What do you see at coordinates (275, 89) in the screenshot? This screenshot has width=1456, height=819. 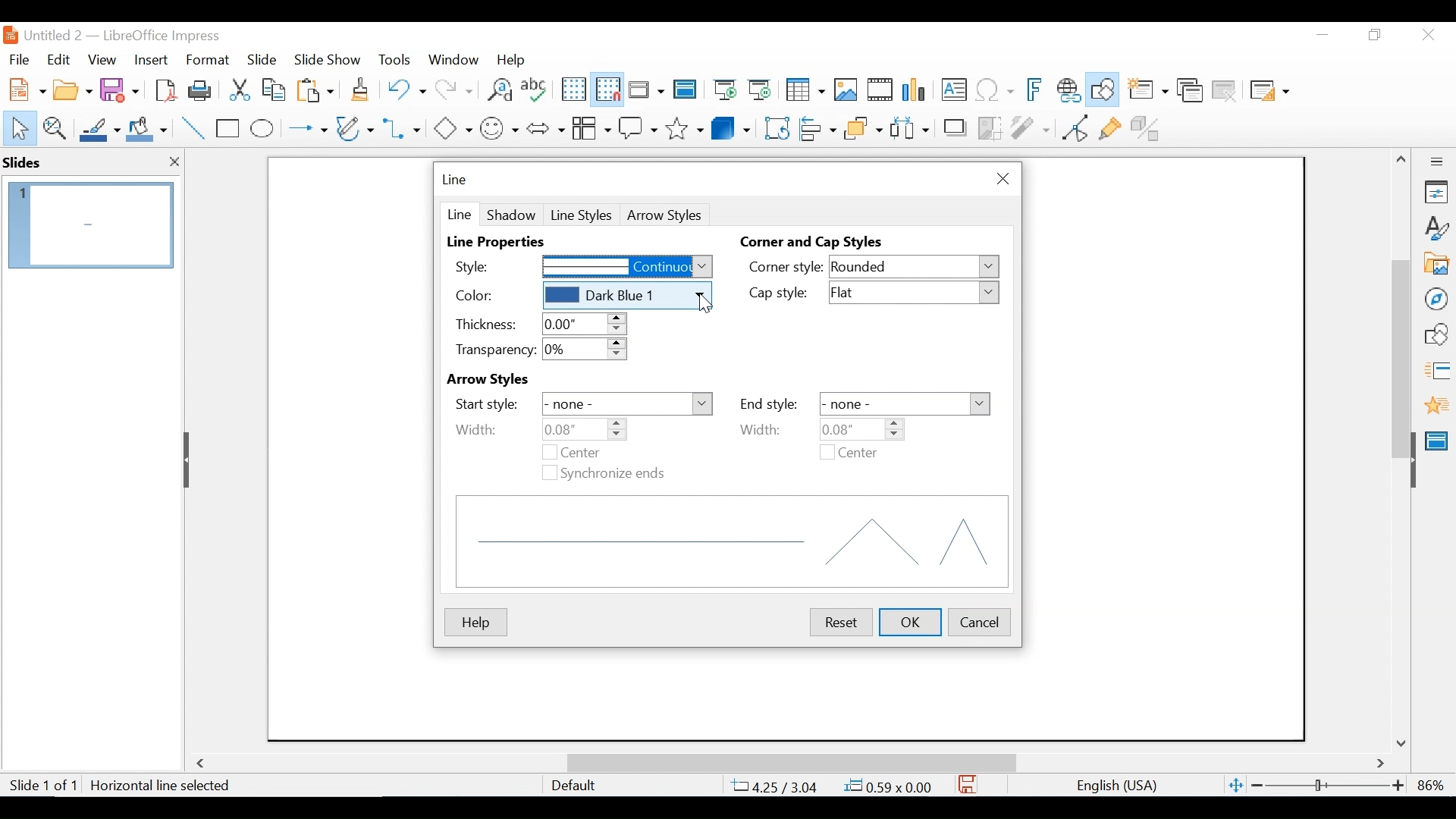 I see `Copy` at bounding box center [275, 89].